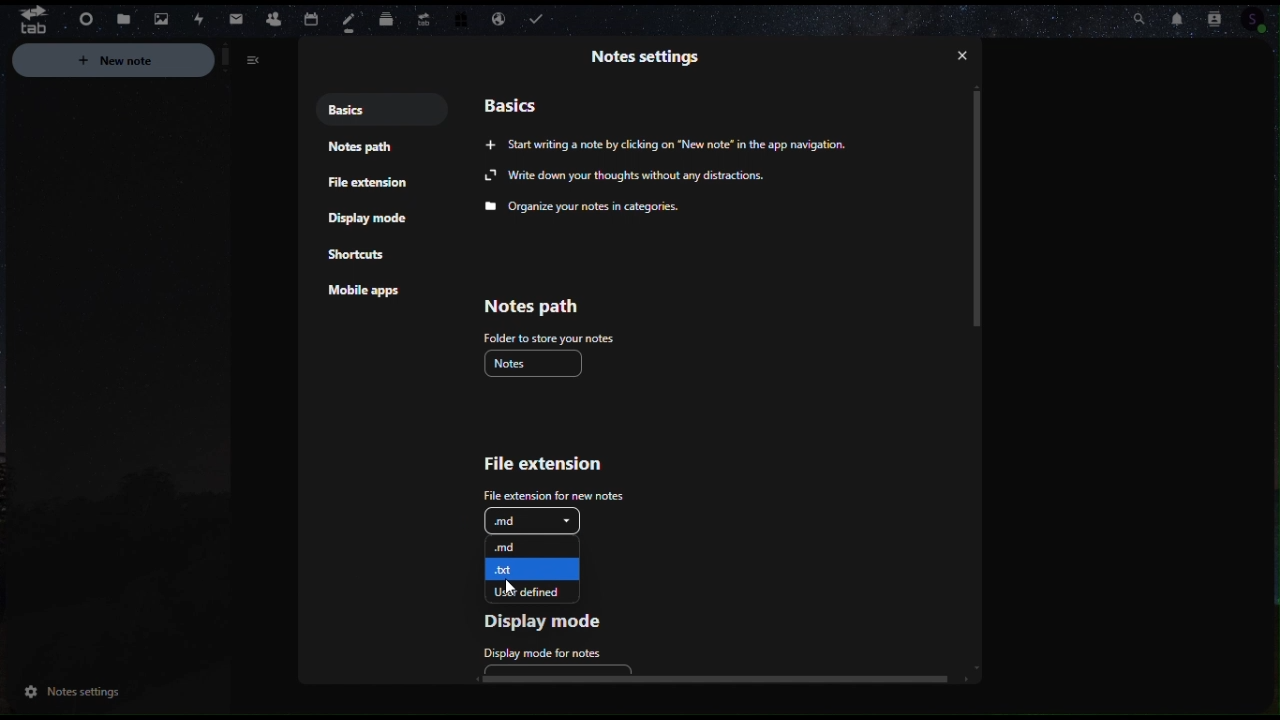 The height and width of the screenshot is (720, 1280). Describe the element at coordinates (530, 307) in the screenshot. I see `Notes path` at that location.